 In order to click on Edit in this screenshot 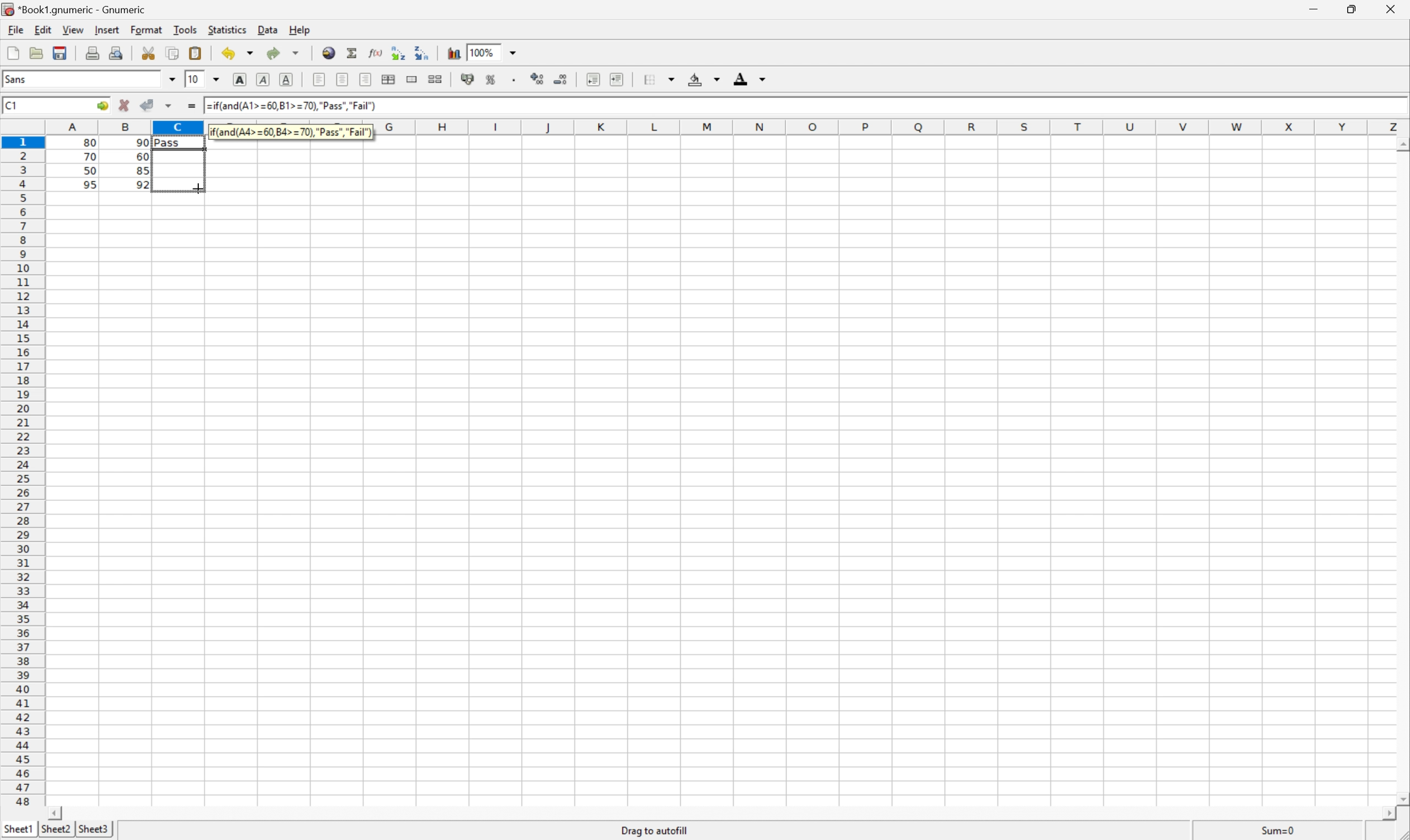, I will do `click(42, 31)`.